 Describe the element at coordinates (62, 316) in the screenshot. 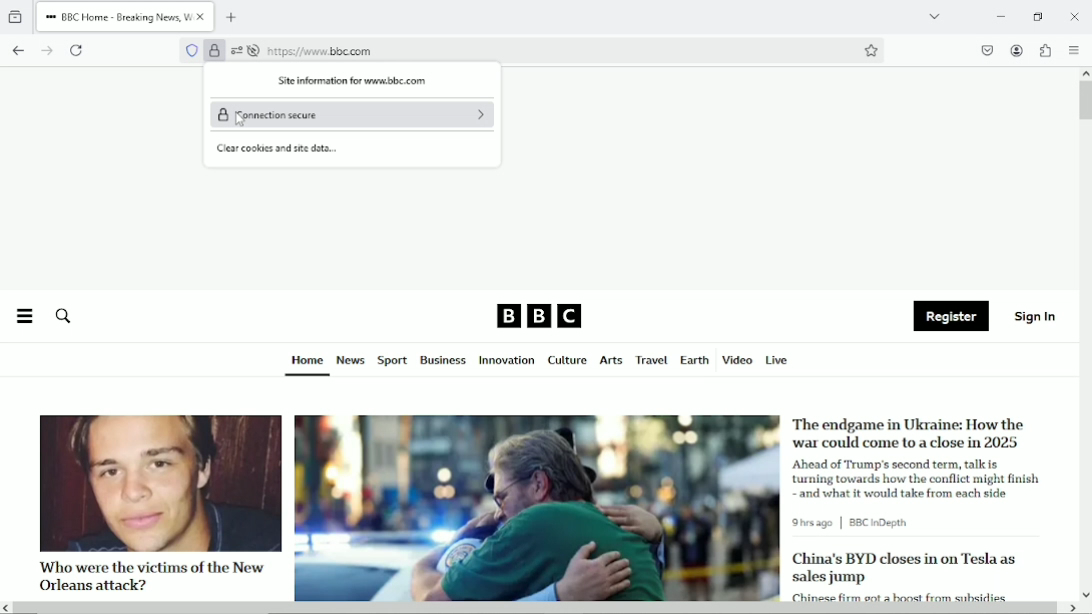

I see `Search` at that location.